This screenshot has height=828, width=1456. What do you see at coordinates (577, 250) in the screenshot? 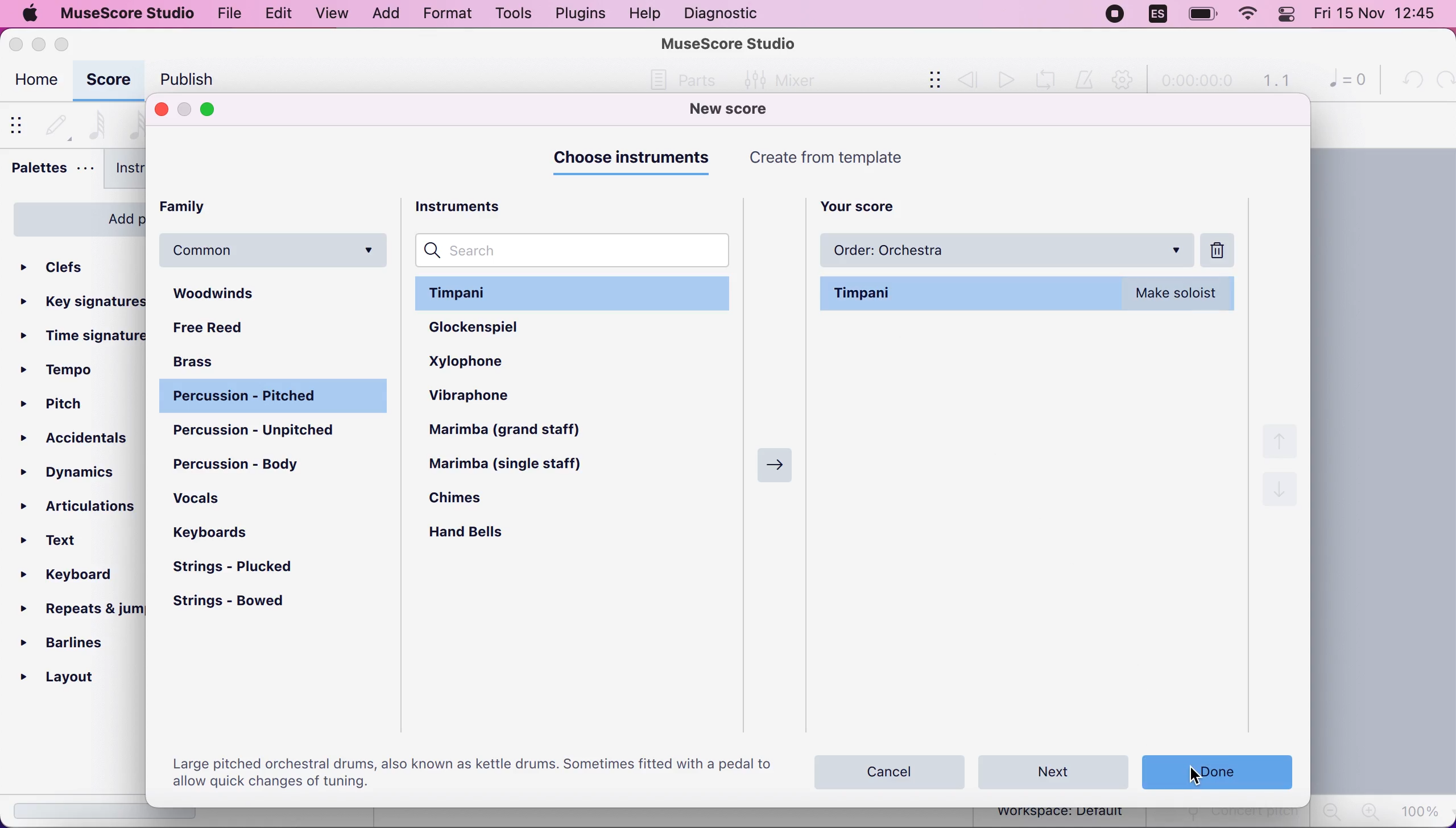
I see `search` at bounding box center [577, 250].